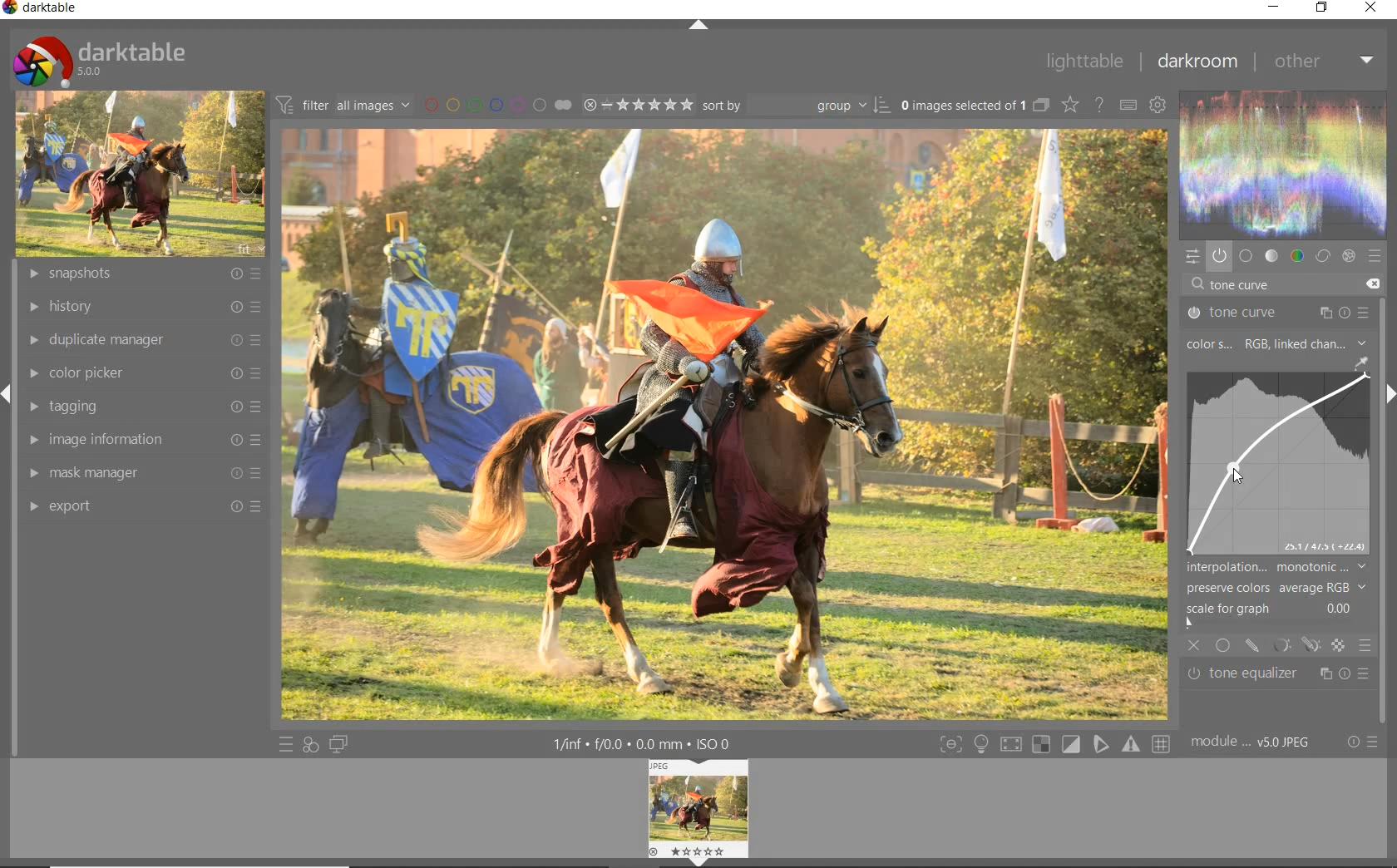 The width and height of the screenshot is (1397, 868). What do you see at coordinates (1372, 8) in the screenshot?
I see `close` at bounding box center [1372, 8].